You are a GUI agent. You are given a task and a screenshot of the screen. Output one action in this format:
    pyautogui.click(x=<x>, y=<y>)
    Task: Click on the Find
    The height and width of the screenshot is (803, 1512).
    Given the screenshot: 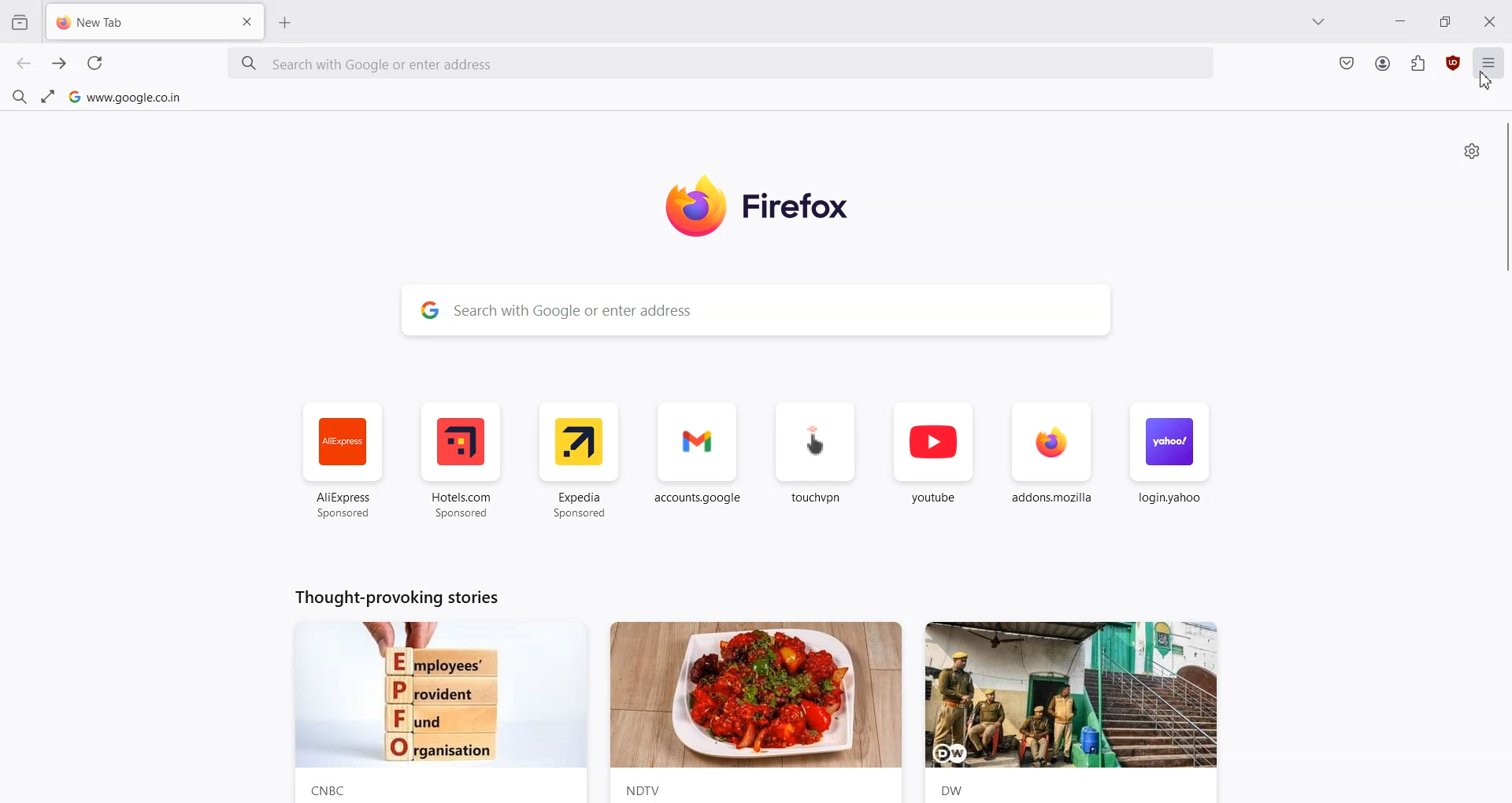 What is the action you would take?
    pyautogui.click(x=19, y=94)
    